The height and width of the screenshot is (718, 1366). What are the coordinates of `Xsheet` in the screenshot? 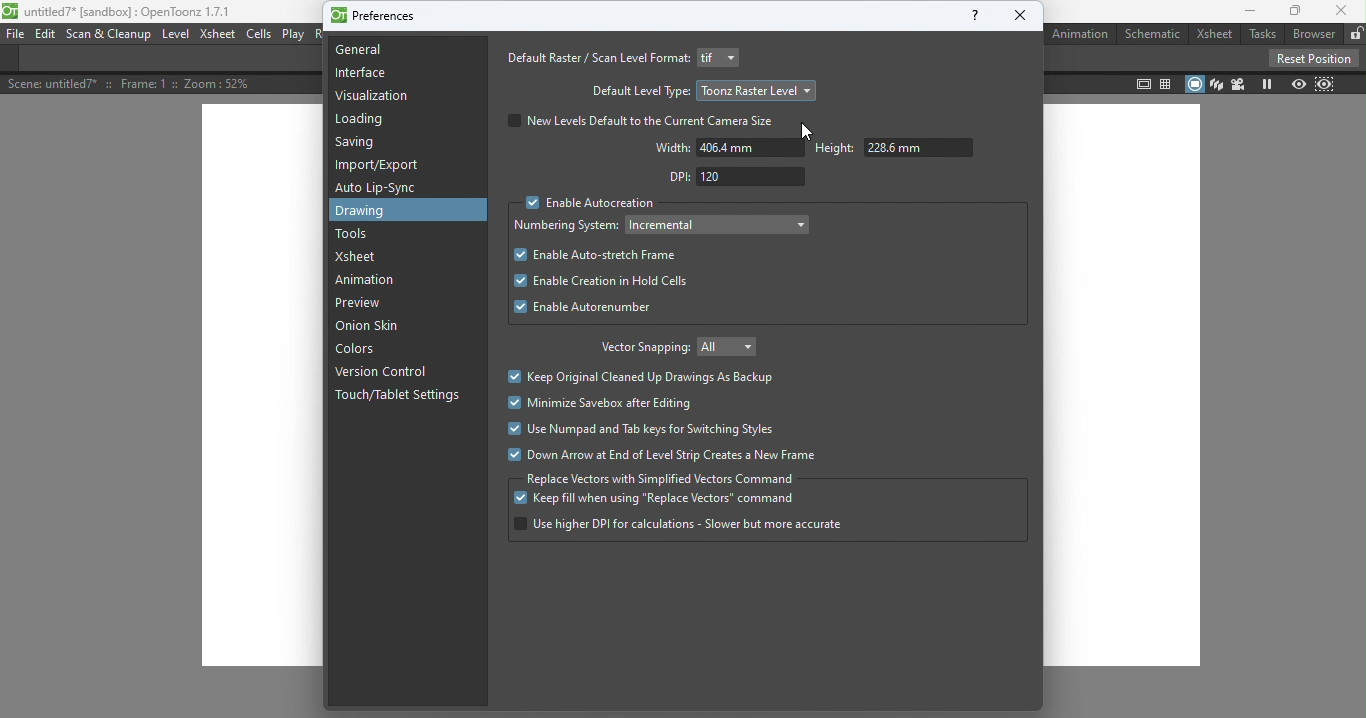 It's located at (365, 256).